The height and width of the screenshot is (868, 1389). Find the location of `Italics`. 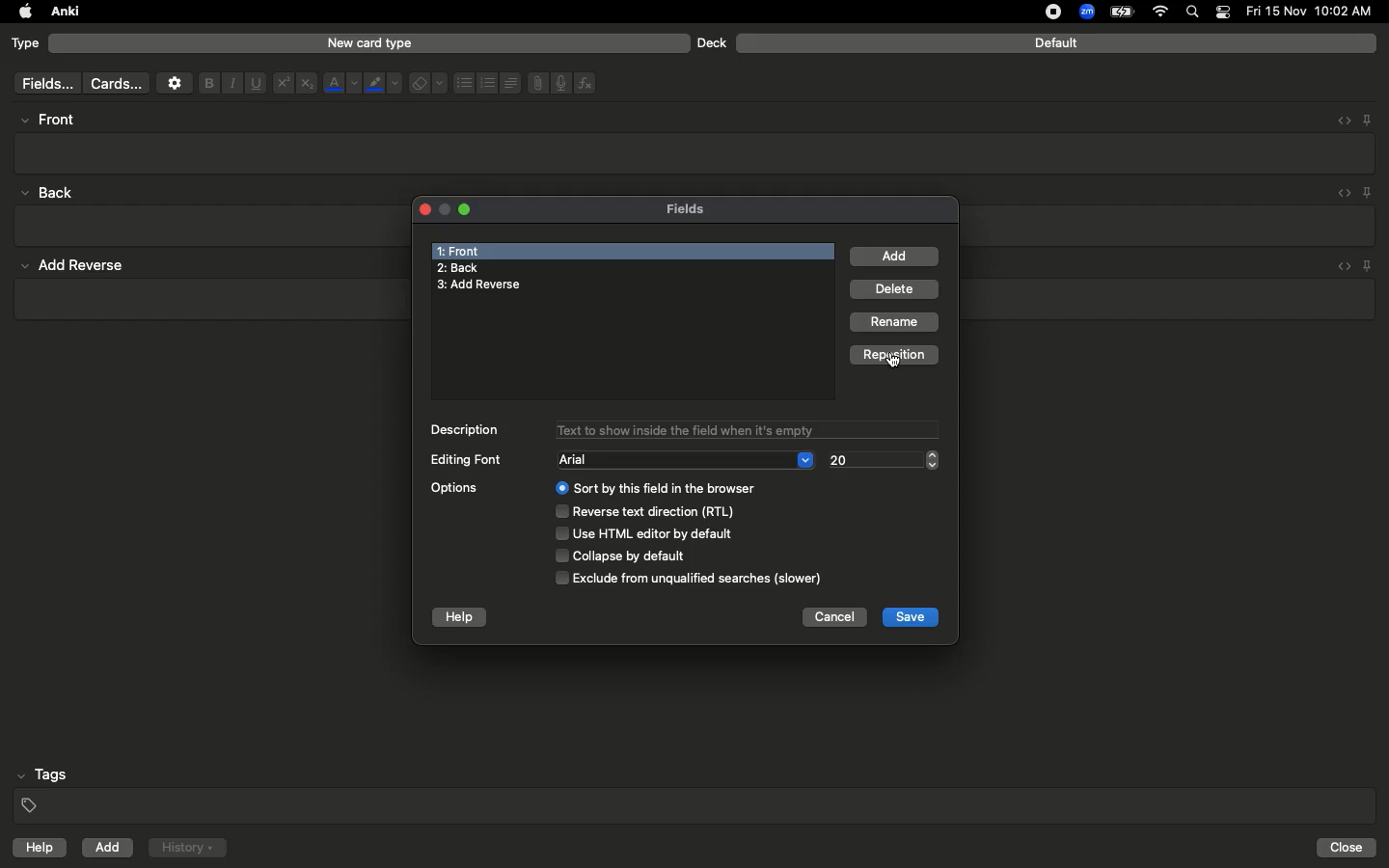

Italics is located at coordinates (230, 84).